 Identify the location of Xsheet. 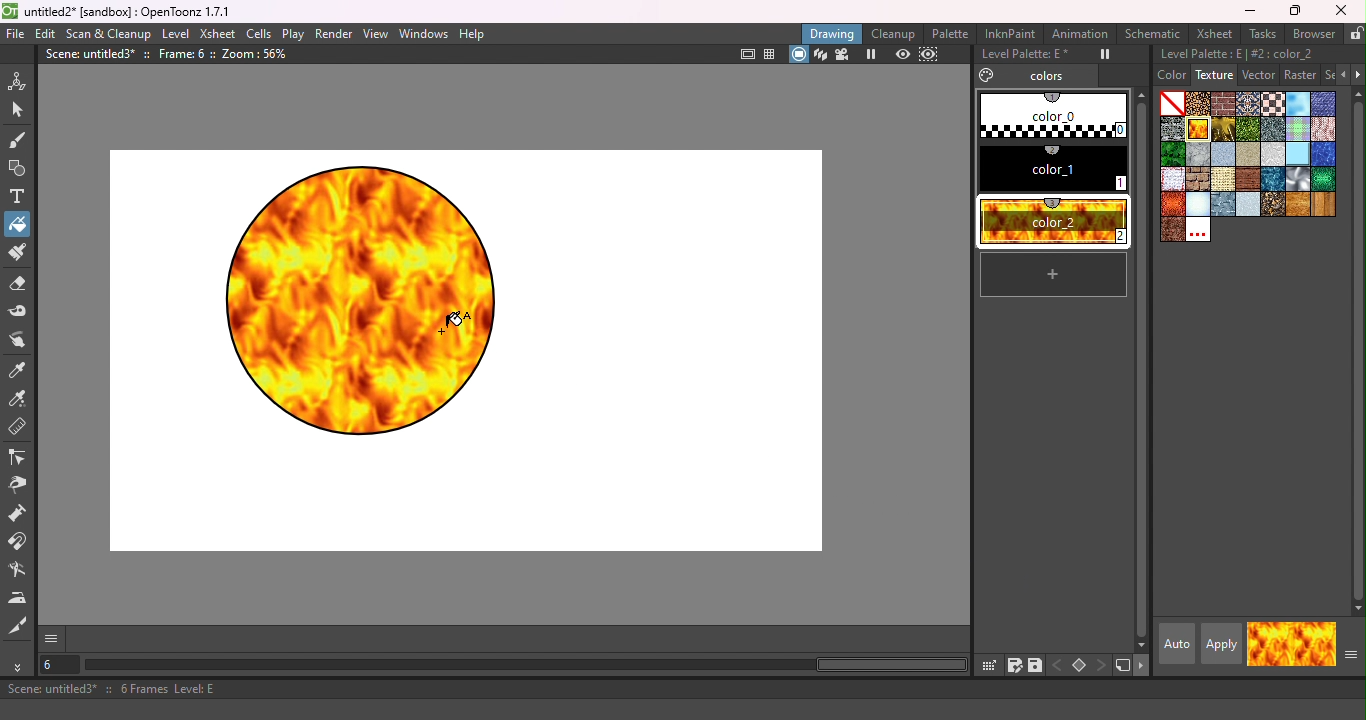
(218, 34).